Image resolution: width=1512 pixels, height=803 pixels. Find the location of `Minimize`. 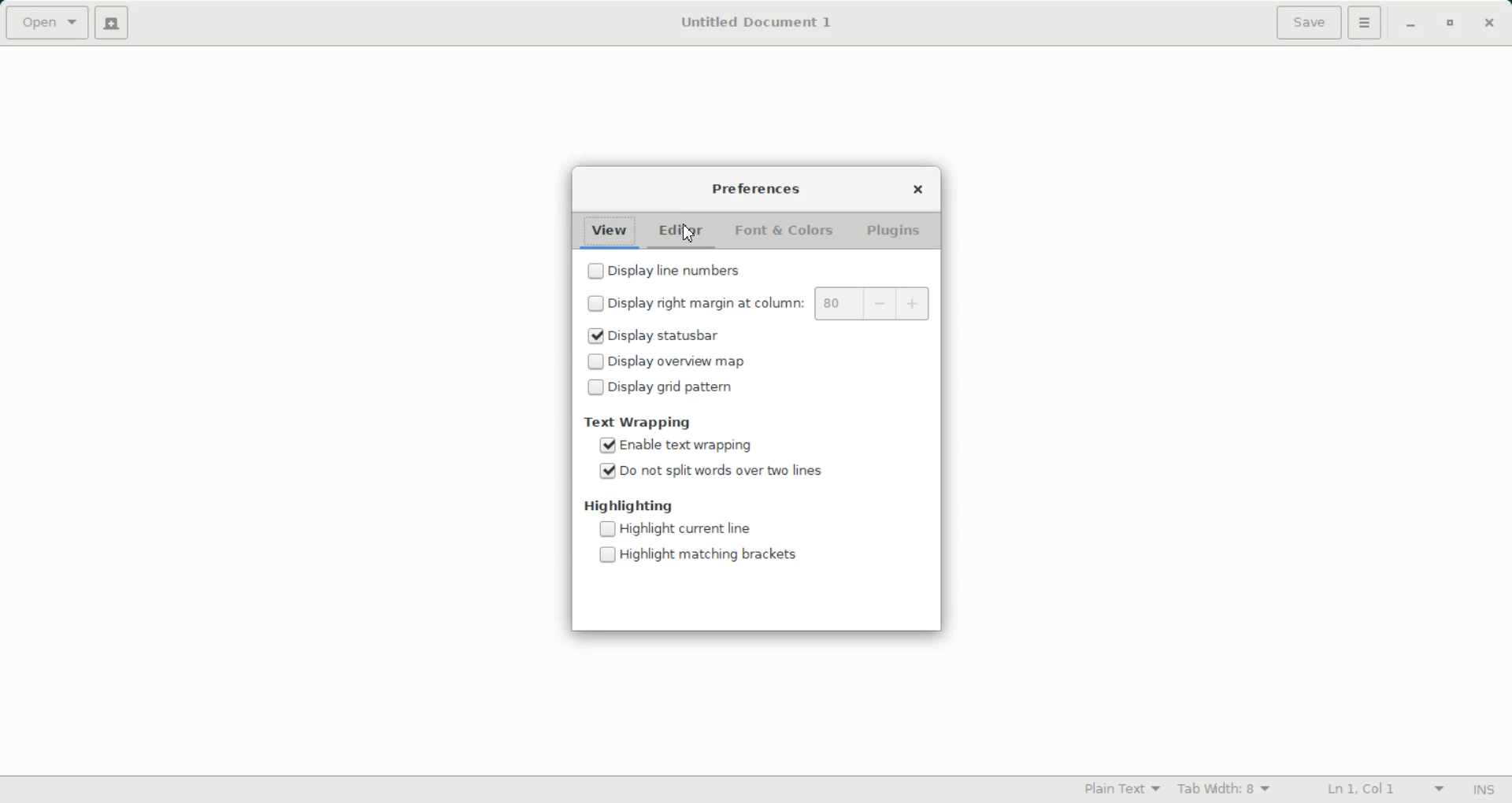

Minimize is located at coordinates (1410, 24).